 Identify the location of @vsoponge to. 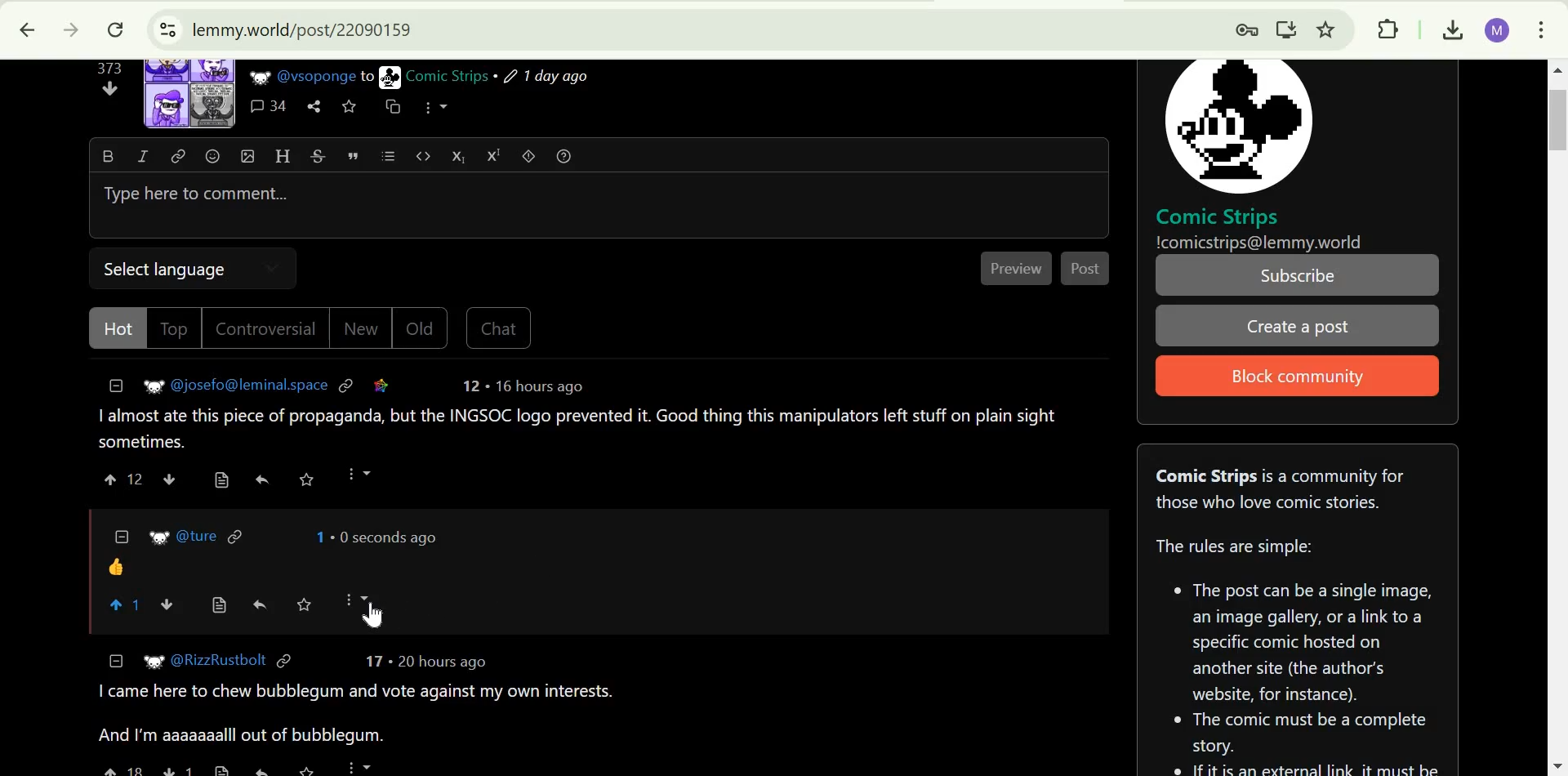
(326, 76).